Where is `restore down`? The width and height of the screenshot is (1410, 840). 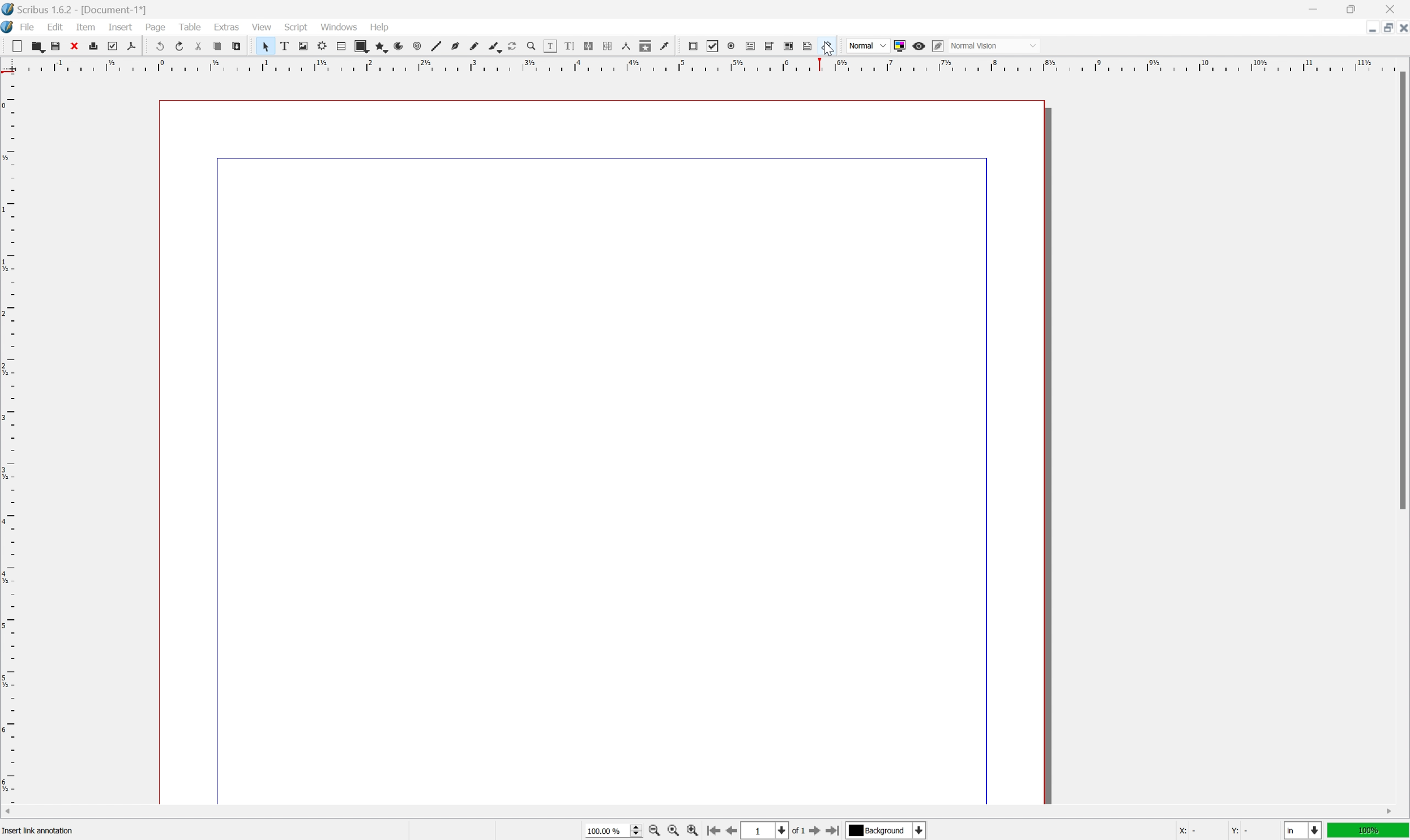 restore down is located at coordinates (1383, 28).